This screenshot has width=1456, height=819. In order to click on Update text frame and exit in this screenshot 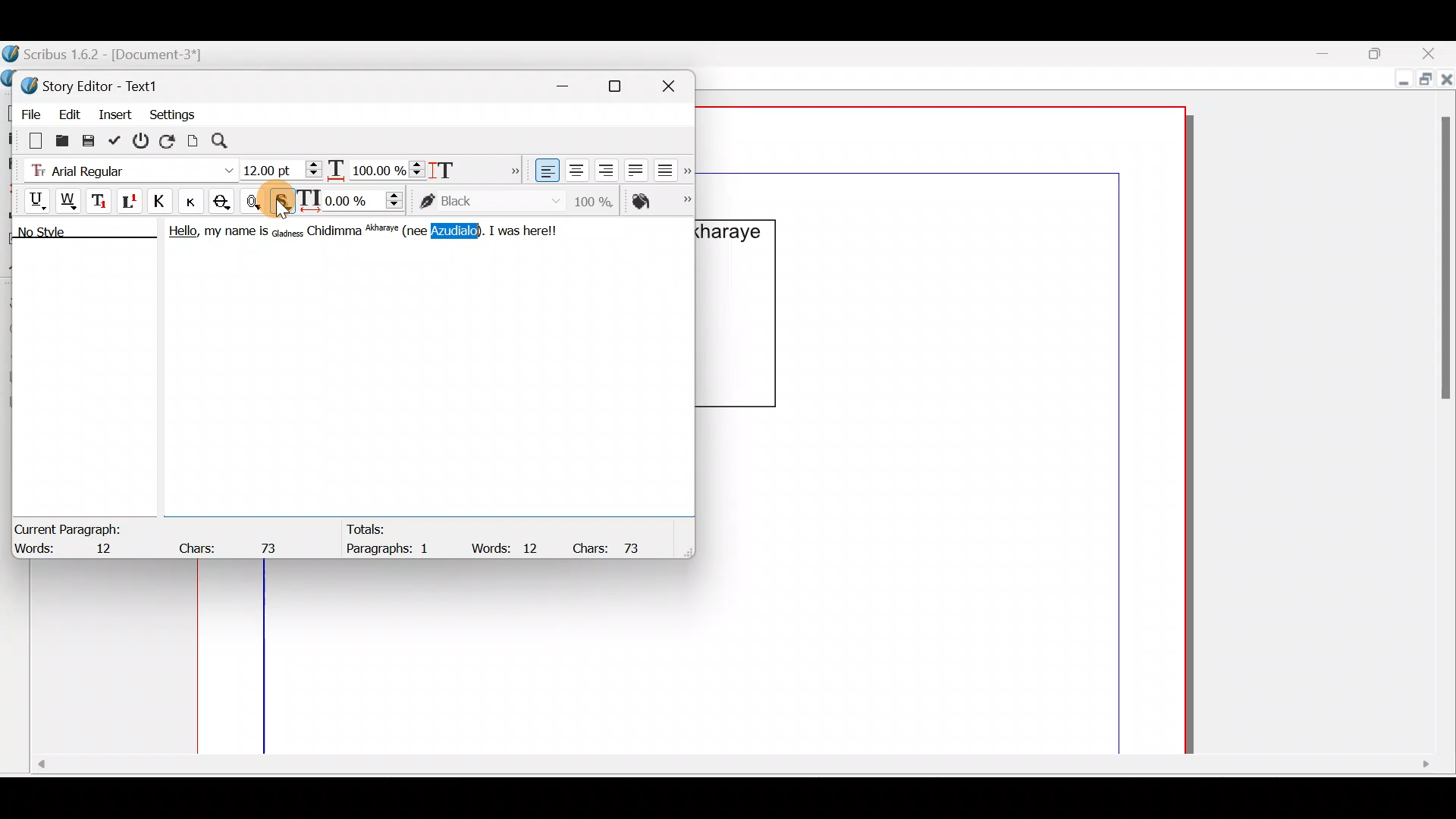, I will do `click(118, 138)`.